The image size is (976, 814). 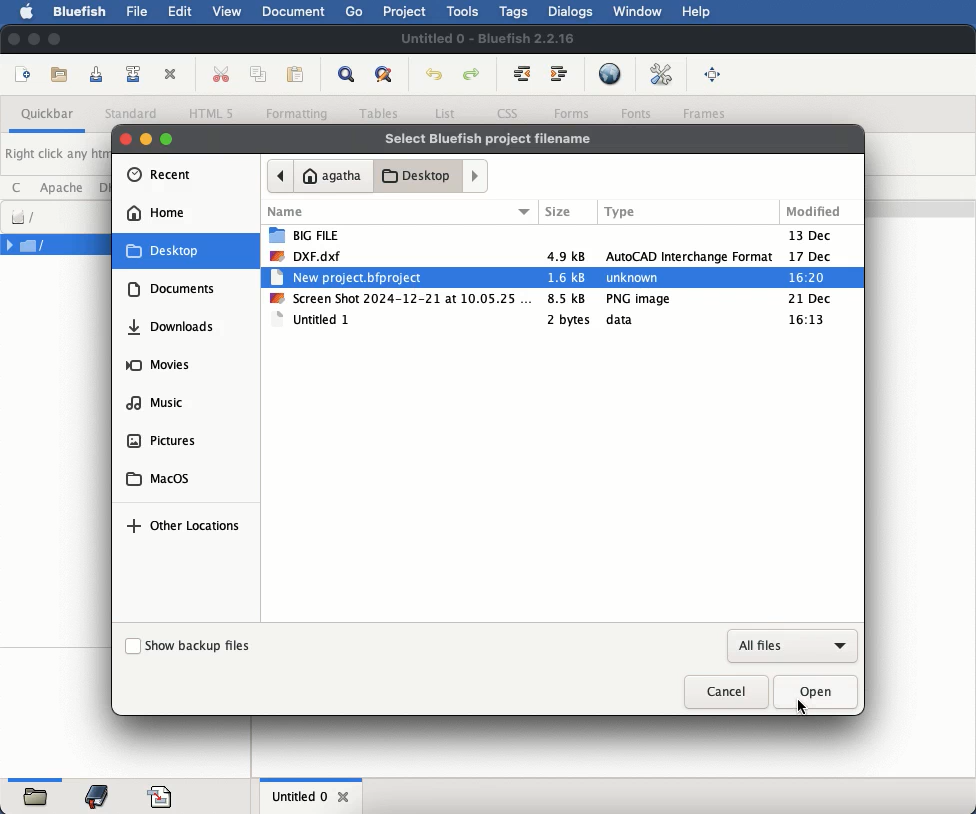 What do you see at coordinates (297, 74) in the screenshot?
I see `paste` at bounding box center [297, 74].